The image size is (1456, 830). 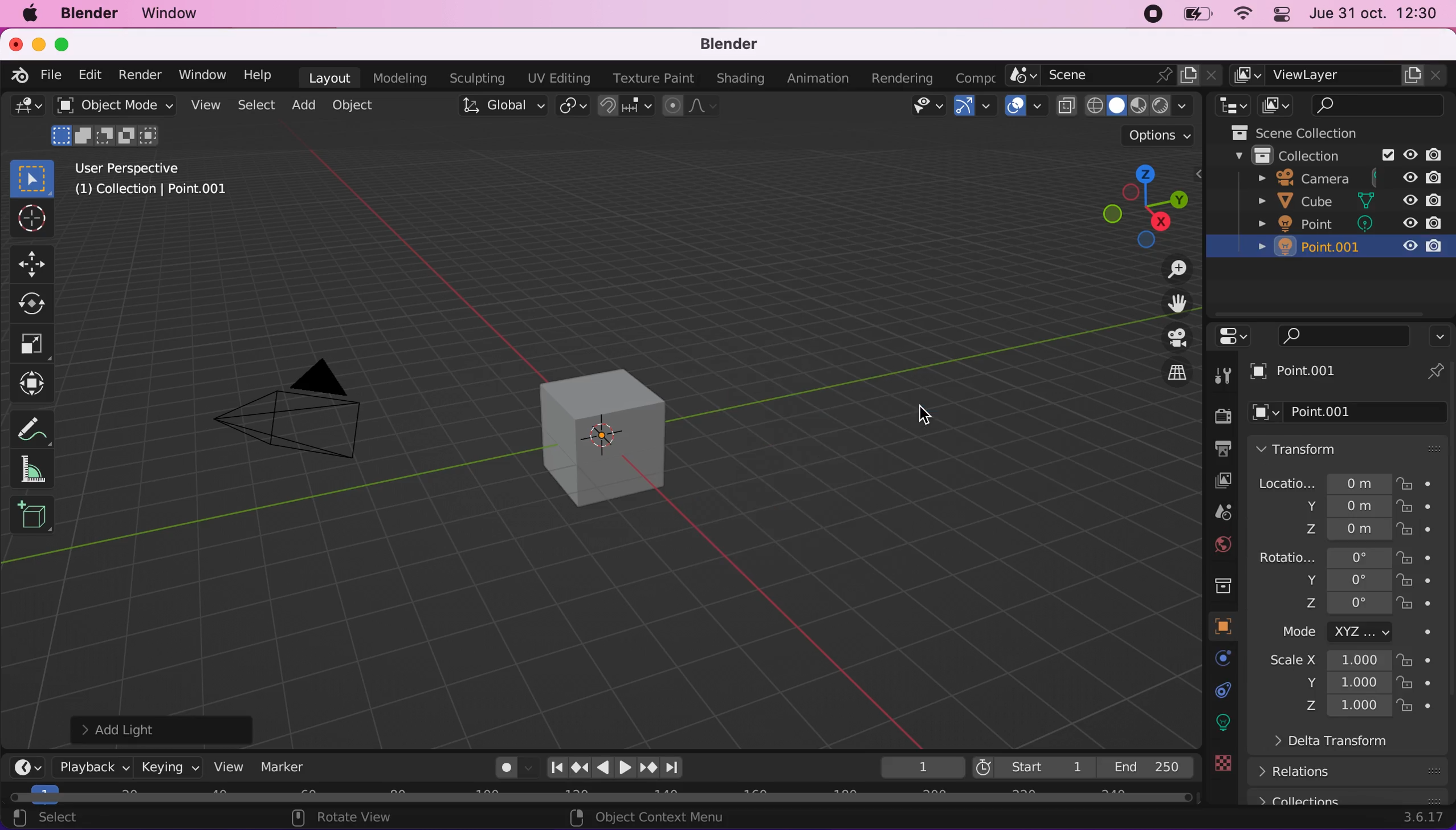 What do you see at coordinates (611, 428) in the screenshot?
I see `point light` at bounding box center [611, 428].